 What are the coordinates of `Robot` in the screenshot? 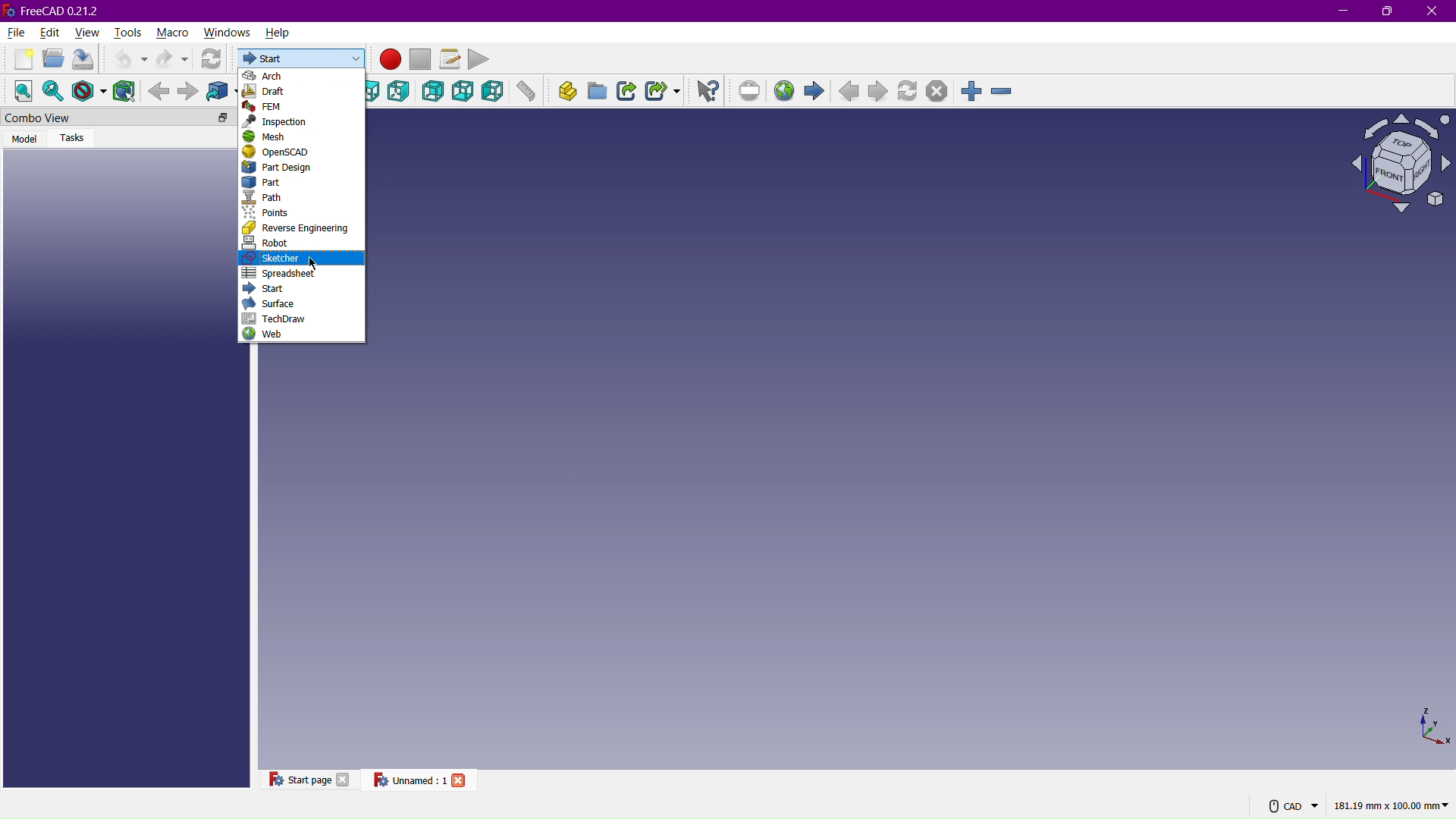 It's located at (302, 245).